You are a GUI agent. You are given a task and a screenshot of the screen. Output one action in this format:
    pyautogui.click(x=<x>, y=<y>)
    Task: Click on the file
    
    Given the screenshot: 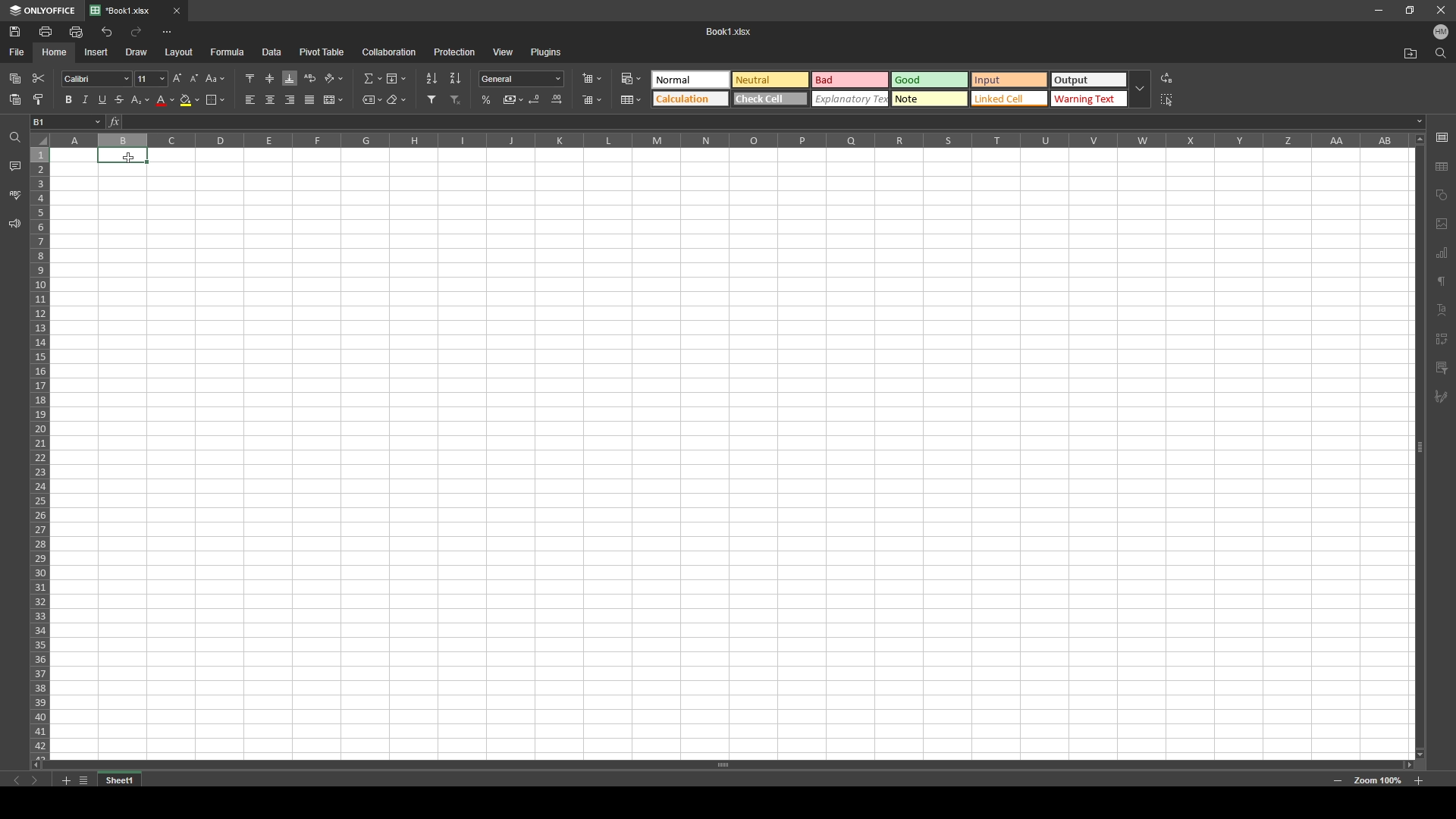 What is the action you would take?
    pyautogui.click(x=18, y=53)
    